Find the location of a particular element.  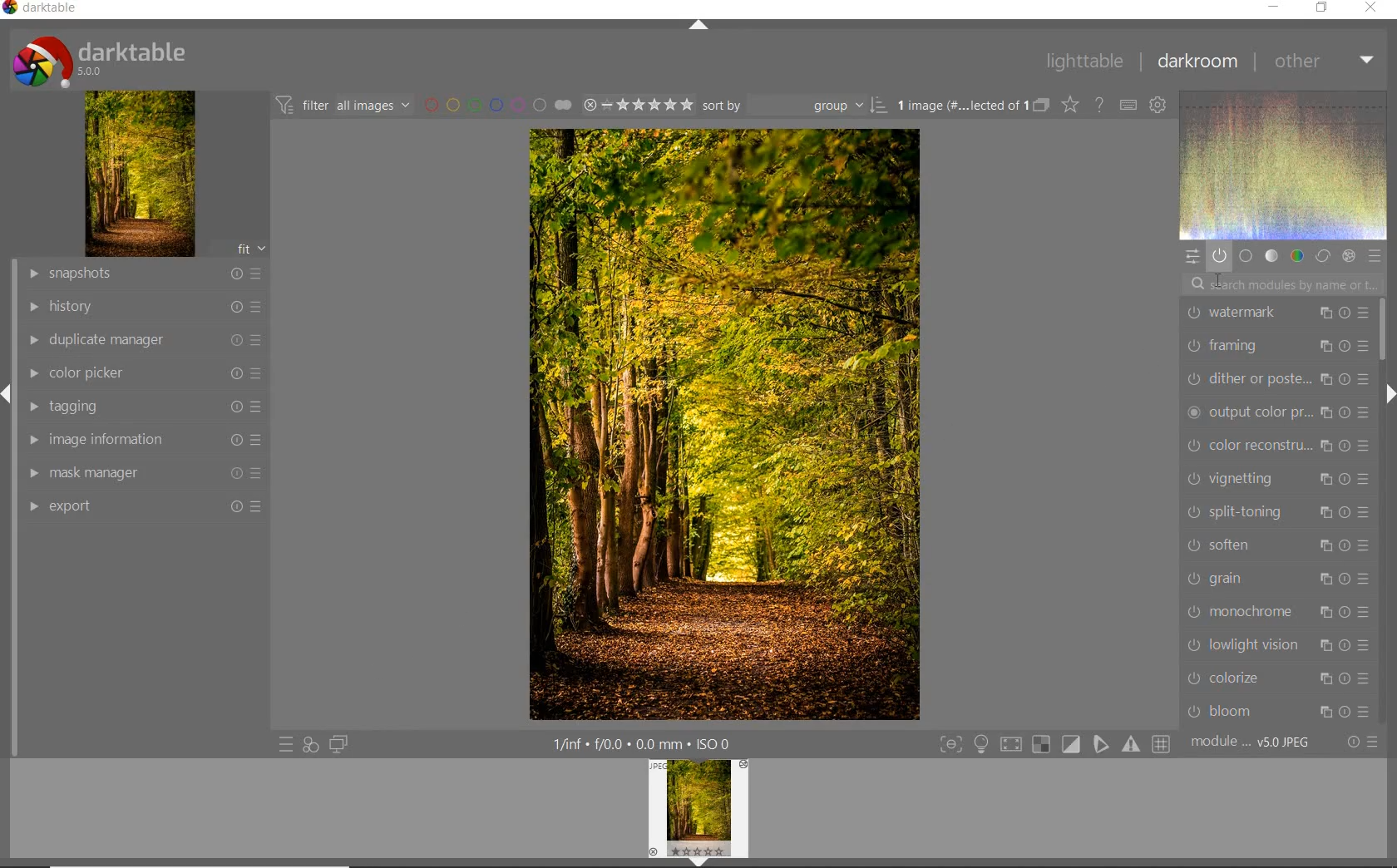

color reconstruction is located at coordinates (1276, 445).